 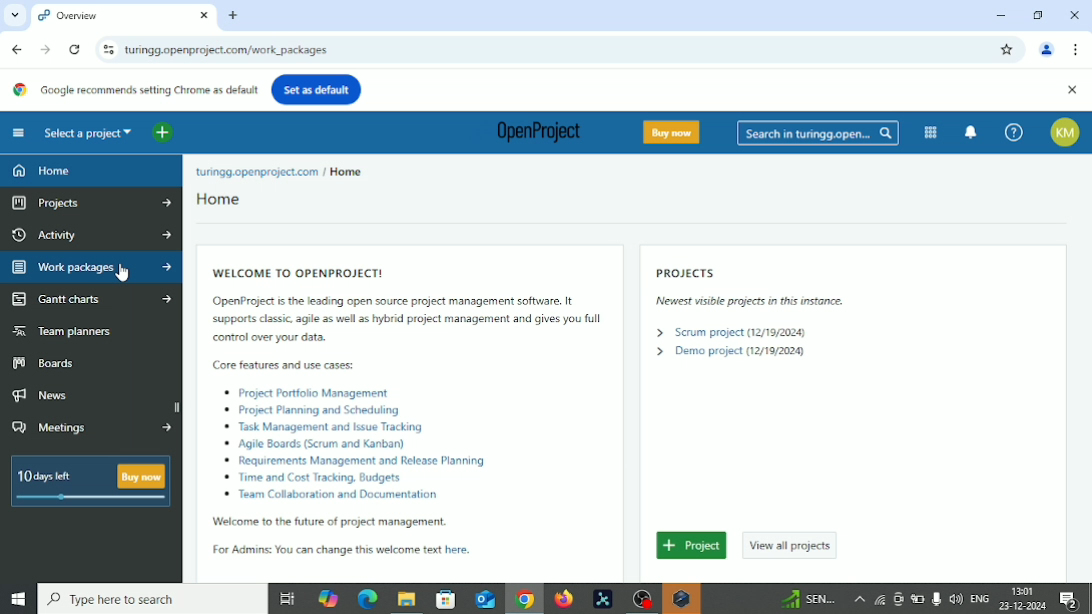 What do you see at coordinates (46, 475) in the screenshot?
I see `10 days left` at bounding box center [46, 475].